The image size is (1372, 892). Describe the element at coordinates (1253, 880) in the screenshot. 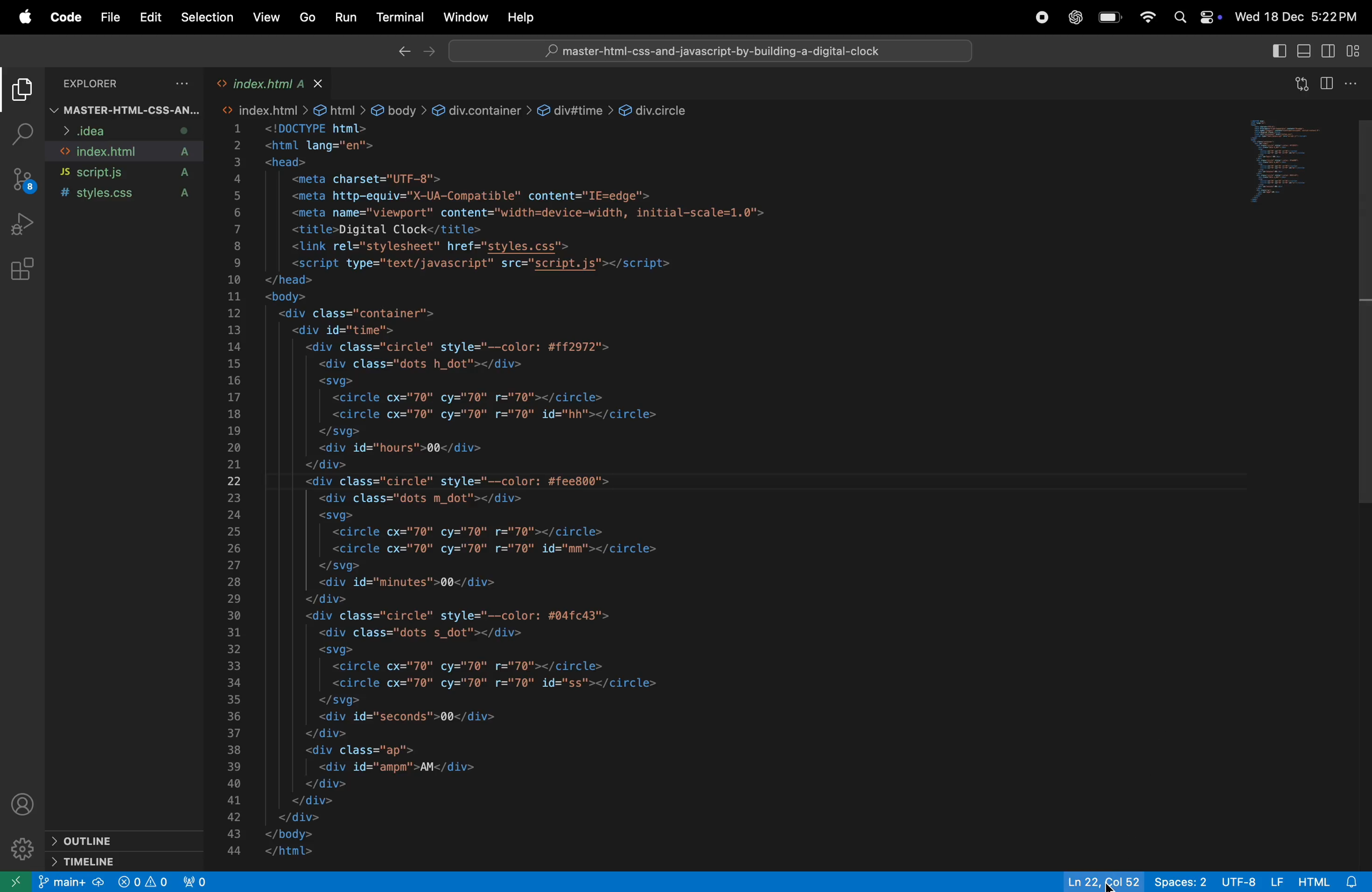

I see `utf -8 lf` at that location.